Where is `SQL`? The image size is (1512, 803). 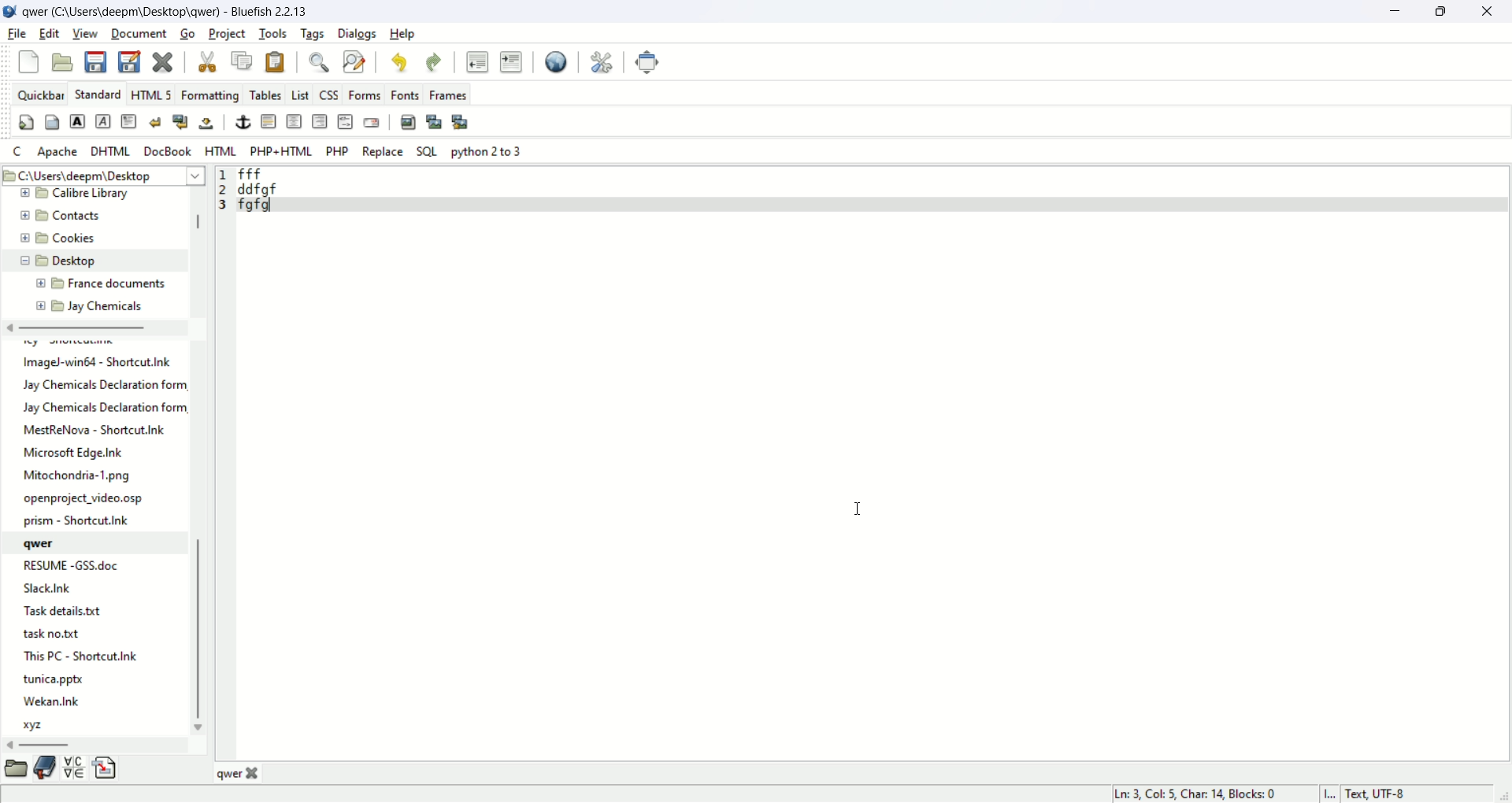
SQL is located at coordinates (426, 151).